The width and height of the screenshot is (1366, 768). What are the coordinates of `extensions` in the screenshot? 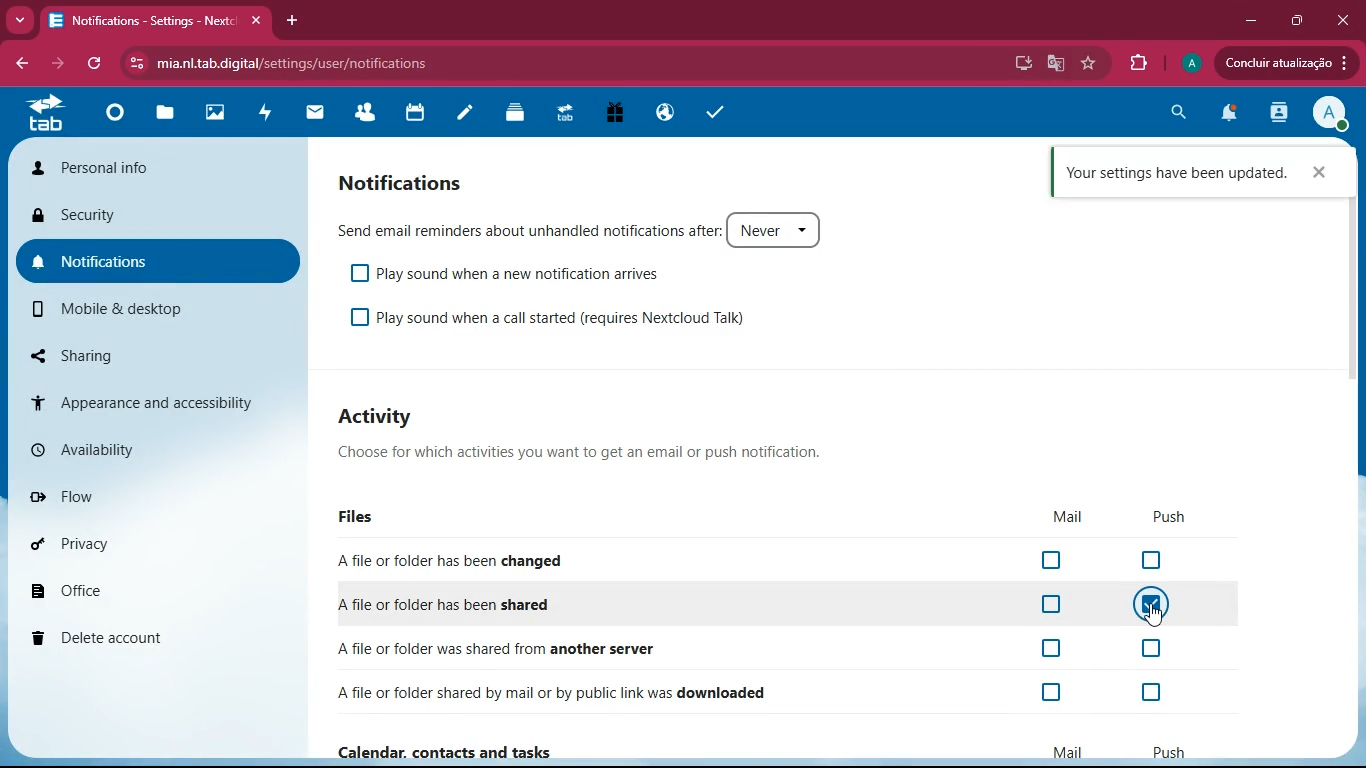 It's located at (1138, 63).